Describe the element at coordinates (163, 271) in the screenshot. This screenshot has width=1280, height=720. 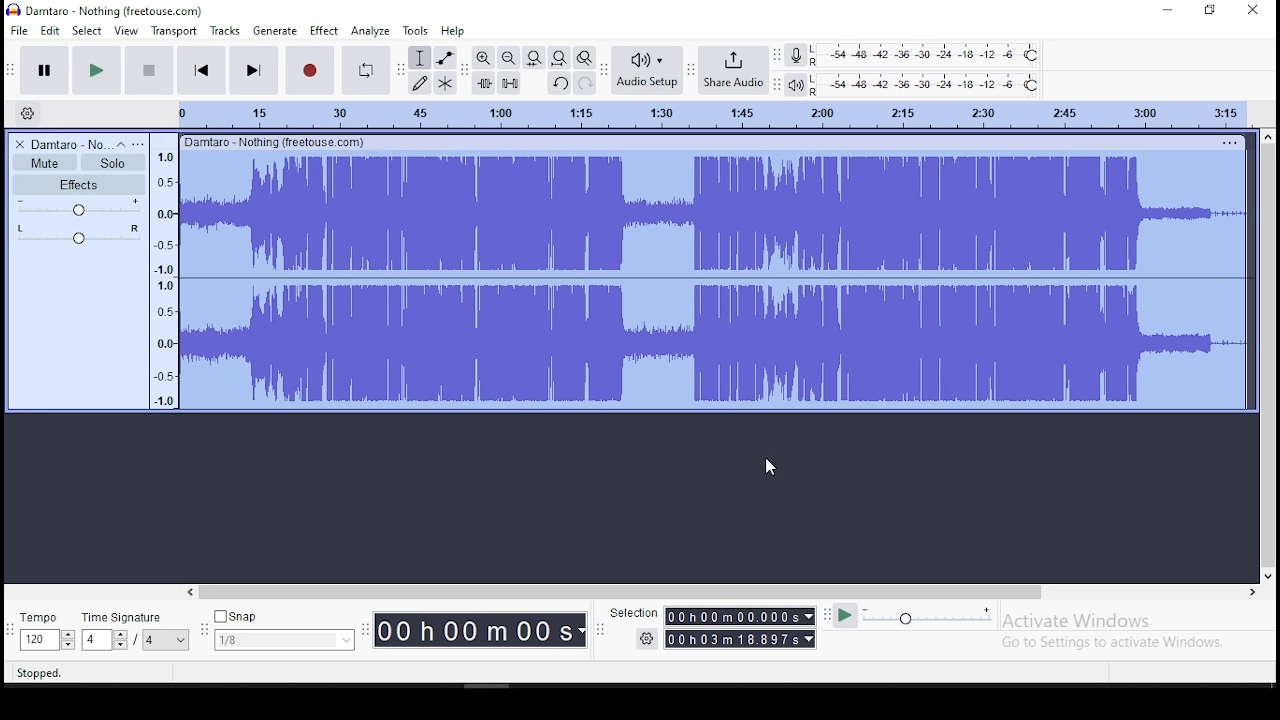
I see `amplitude` at that location.